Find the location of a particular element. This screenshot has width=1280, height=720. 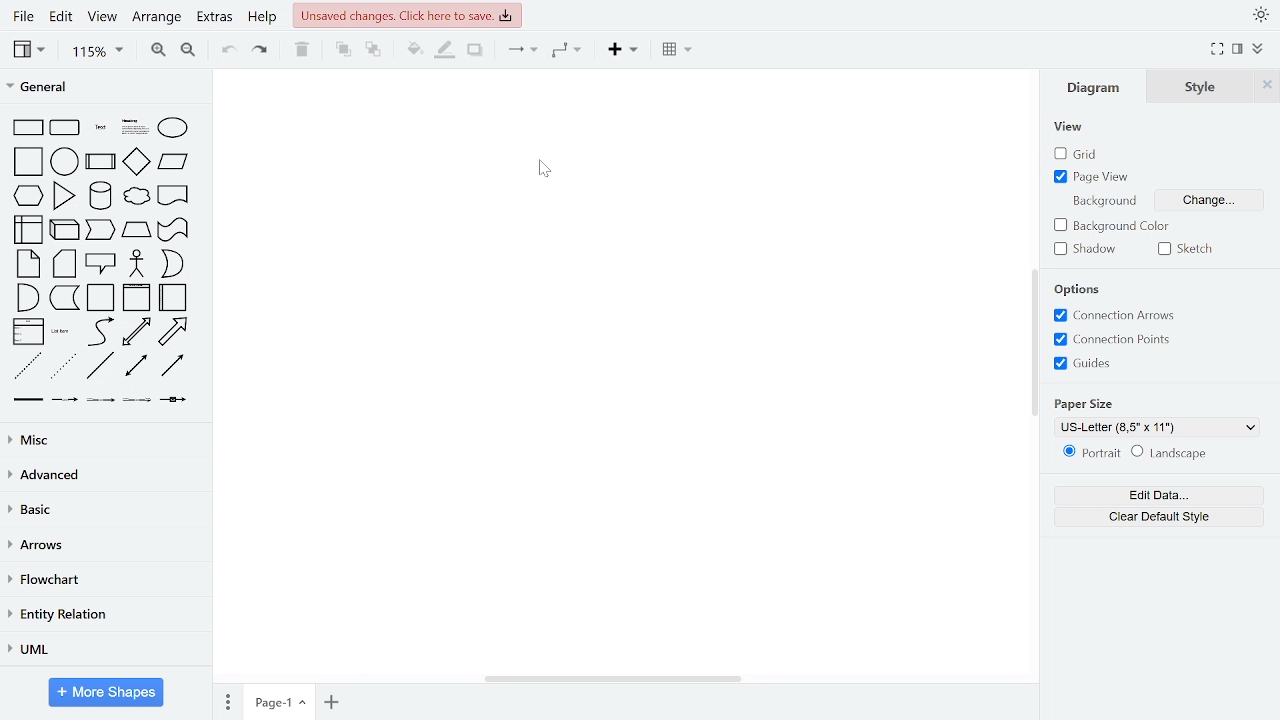

diagram is located at coordinates (1094, 87).